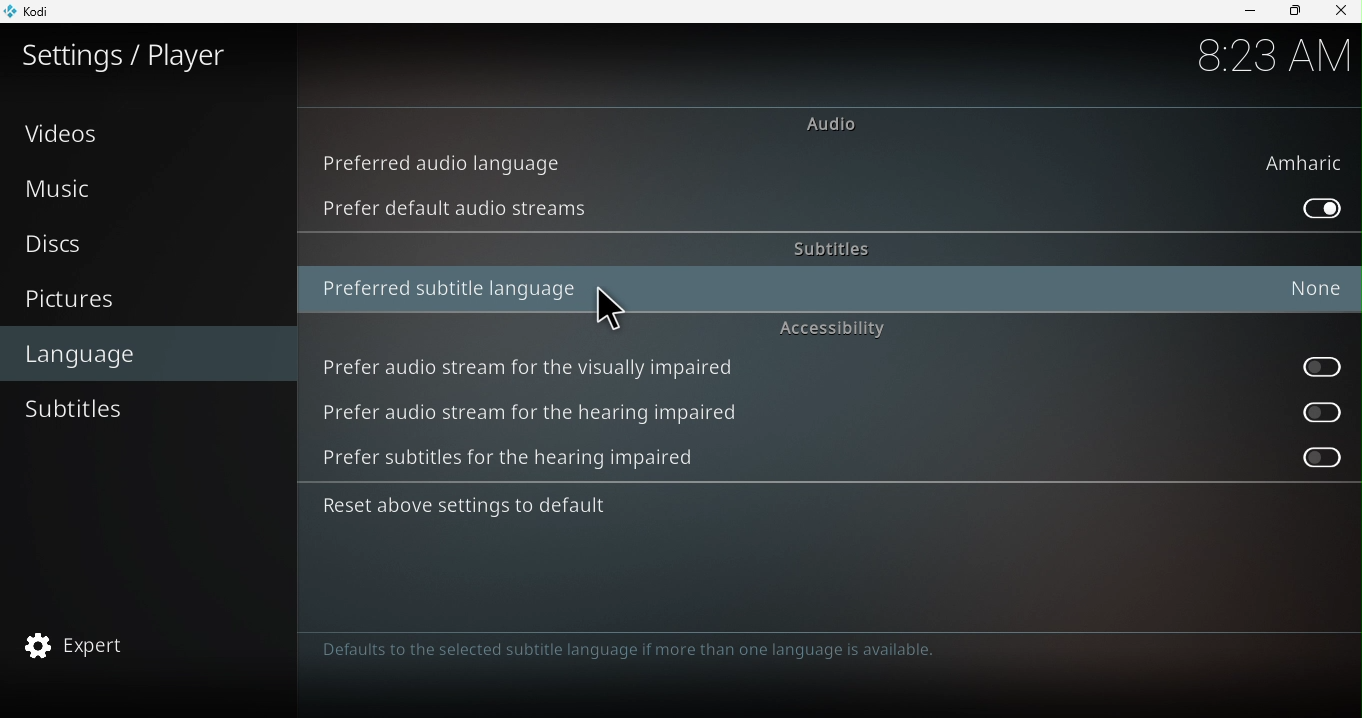 The image size is (1362, 718). I want to click on Subtitles, so click(140, 410).